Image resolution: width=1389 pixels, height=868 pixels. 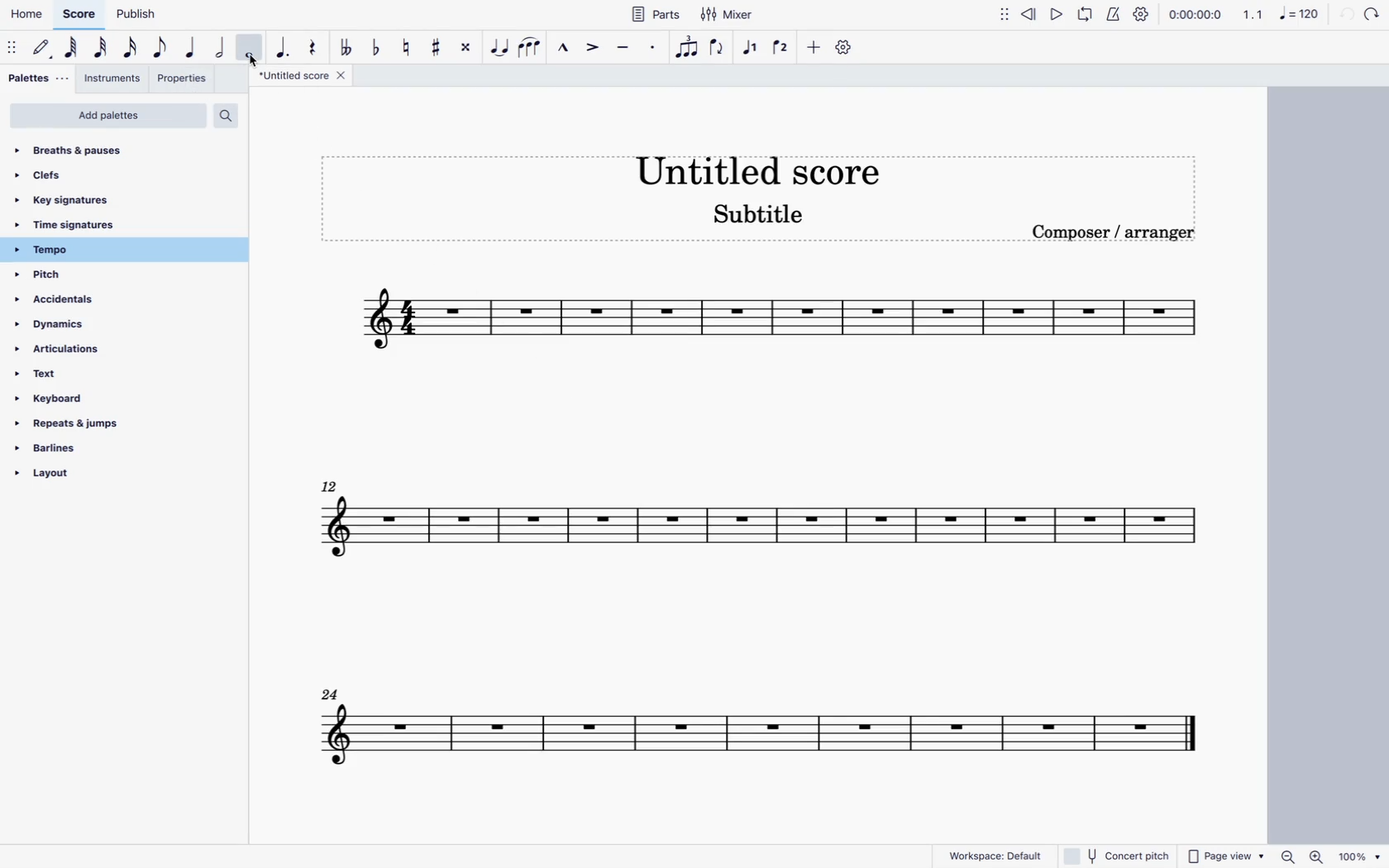 What do you see at coordinates (686, 48) in the screenshot?
I see `tuplet` at bounding box center [686, 48].